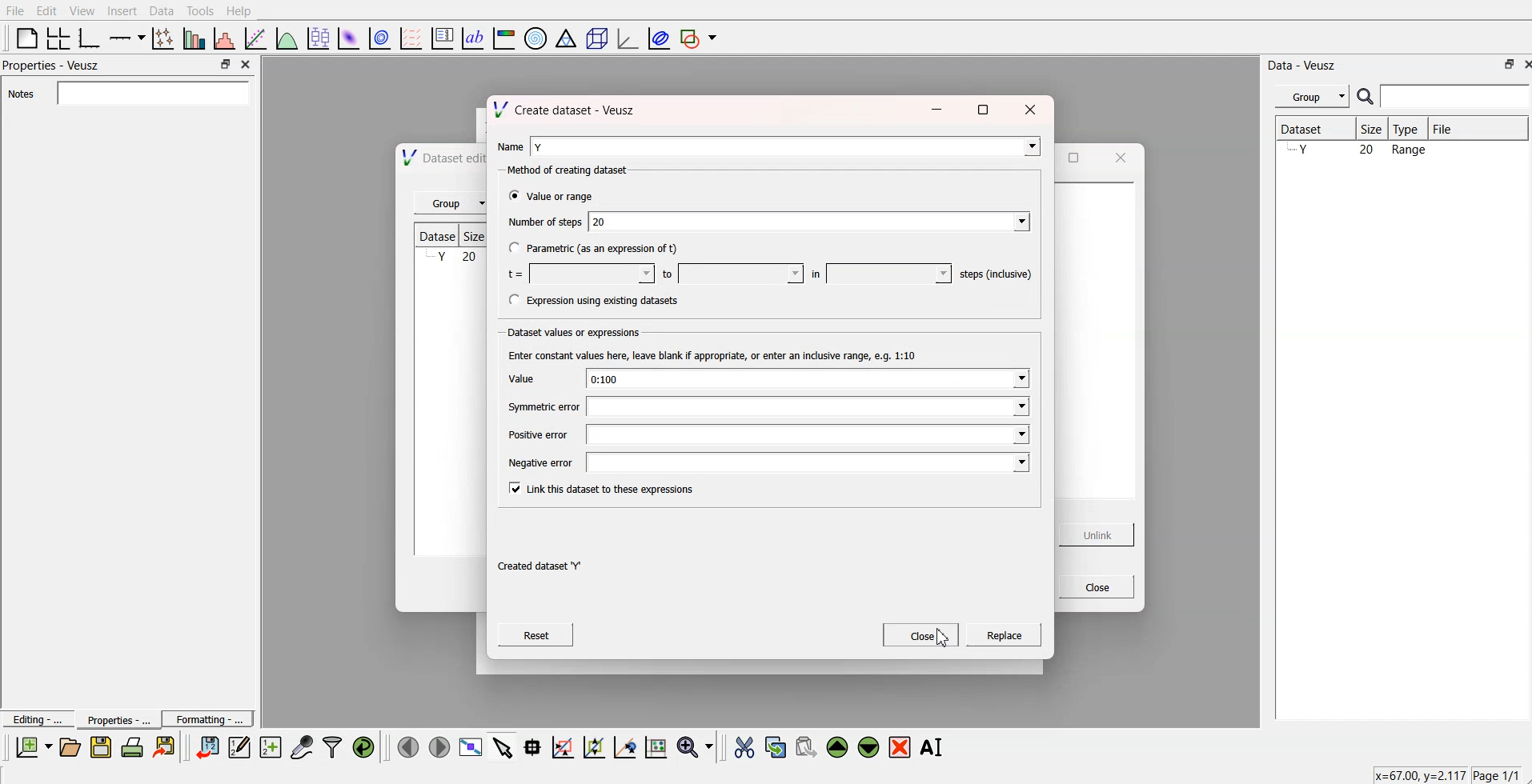  Describe the element at coordinates (439, 746) in the screenshot. I see `Move to next page` at that location.